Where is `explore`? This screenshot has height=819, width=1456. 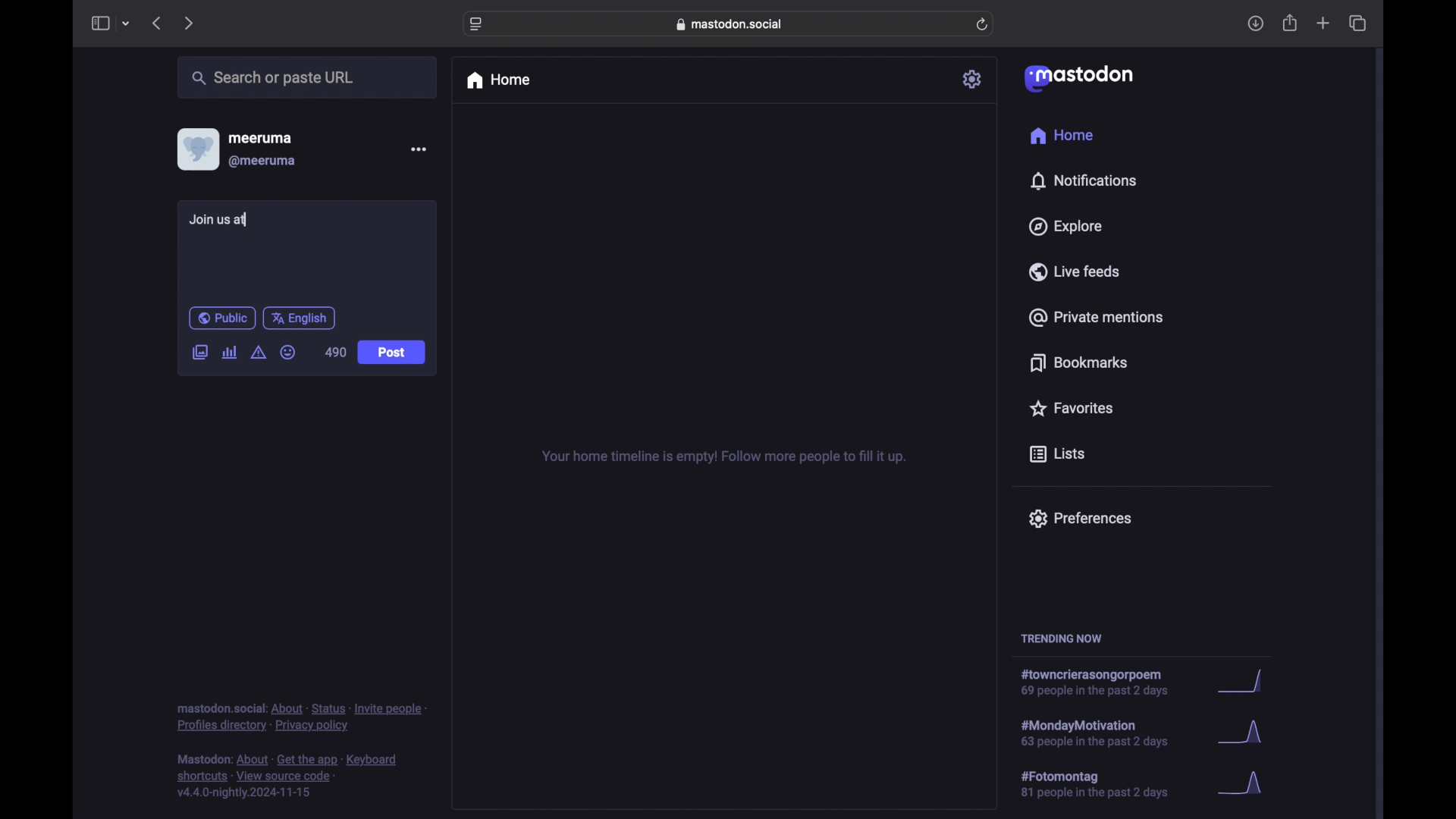
explore is located at coordinates (1064, 227).